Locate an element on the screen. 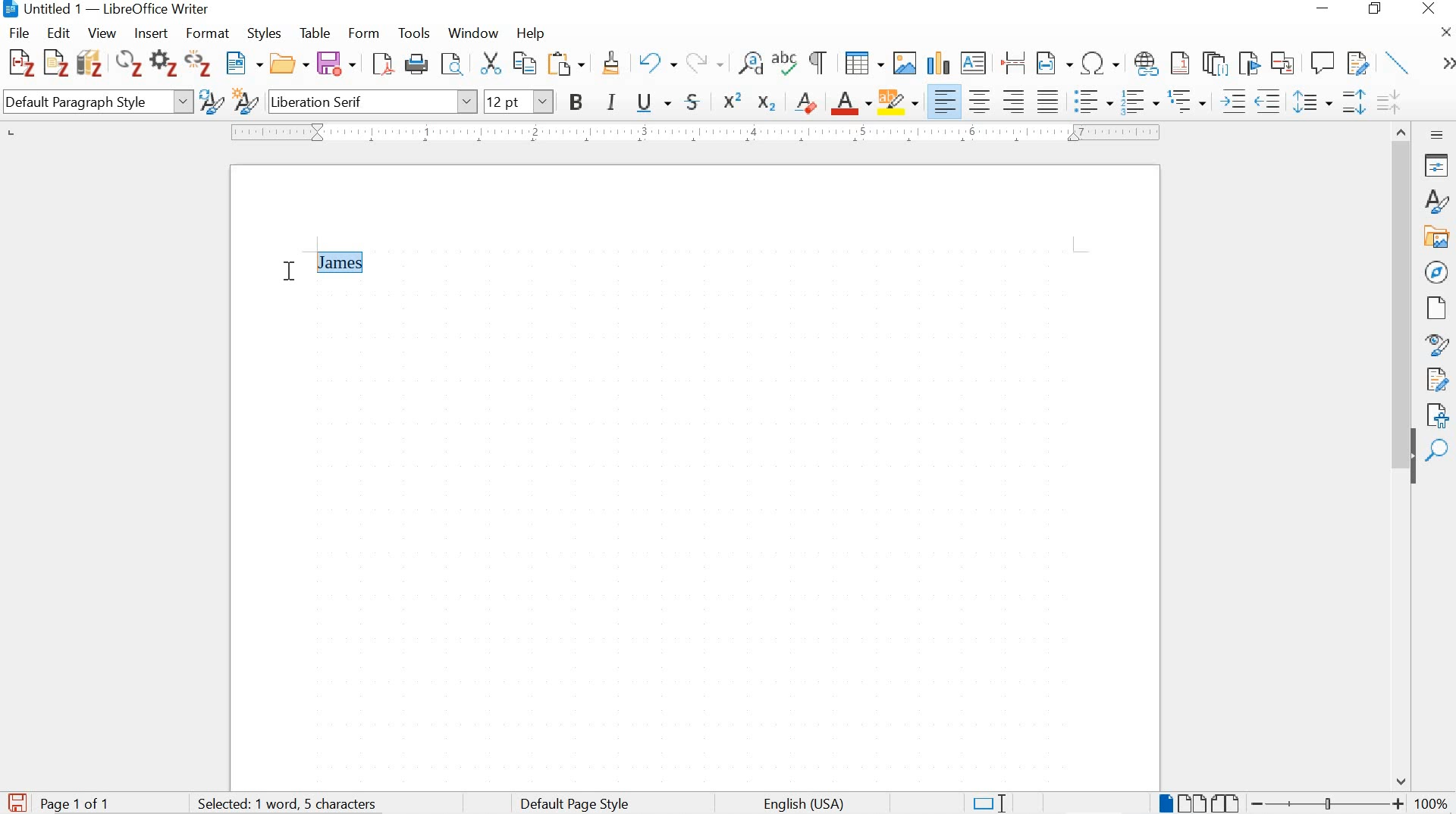  underline is located at coordinates (654, 104).